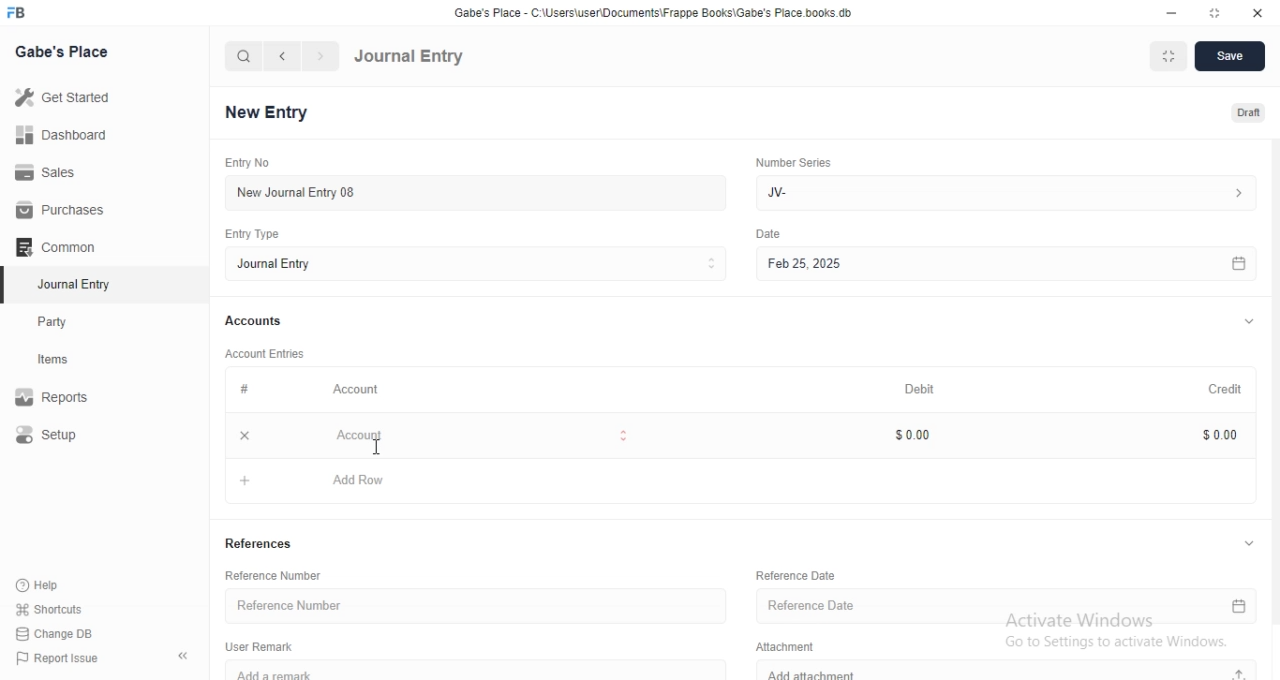 The width and height of the screenshot is (1280, 680). Describe the element at coordinates (245, 435) in the screenshot. I see `close` at that location.